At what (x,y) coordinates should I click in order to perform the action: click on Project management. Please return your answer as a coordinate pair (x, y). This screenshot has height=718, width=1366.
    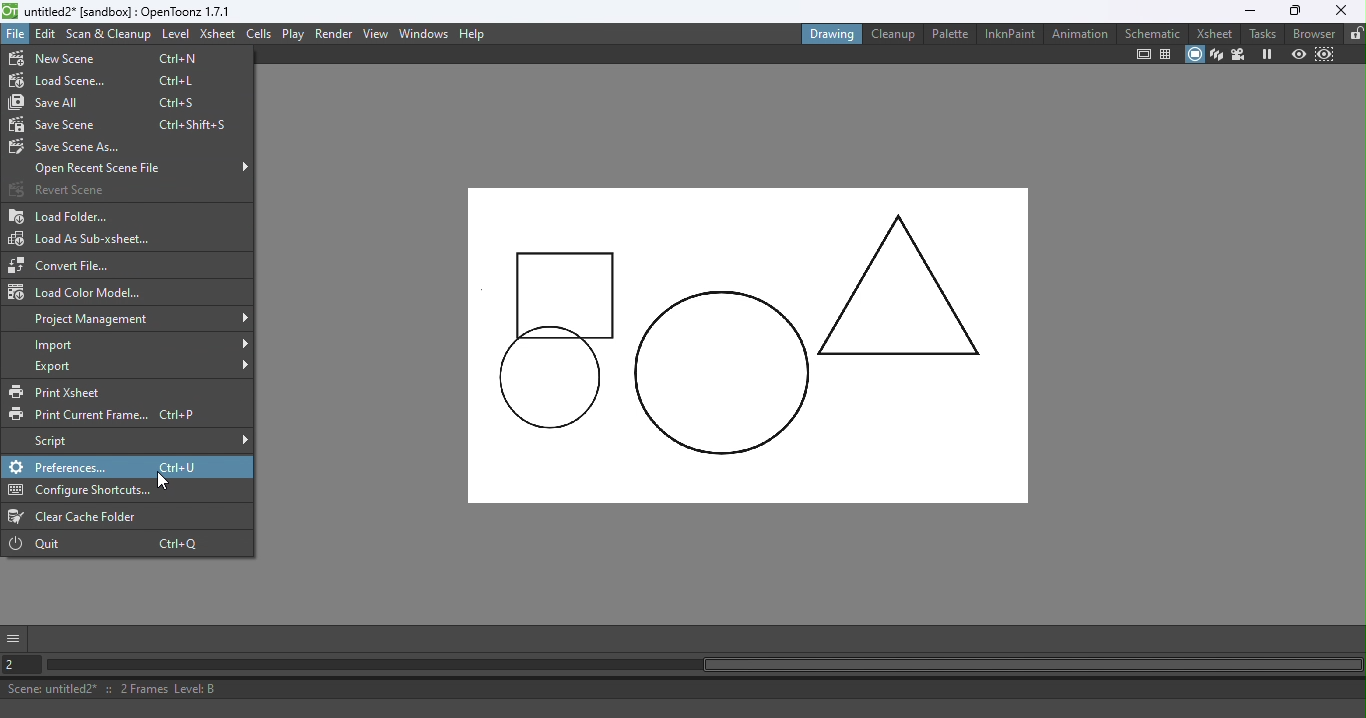
    Looking at the image, I should click on (137, 318).